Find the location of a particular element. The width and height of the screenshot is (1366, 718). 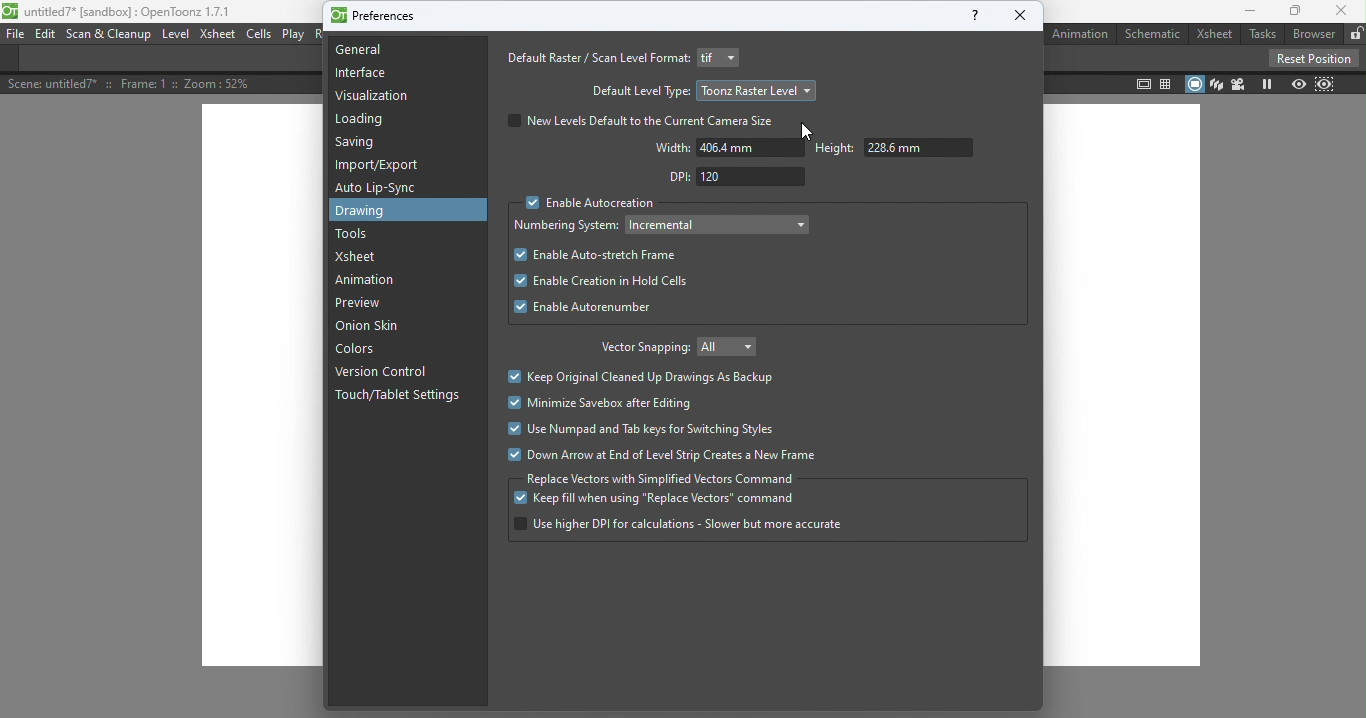

Use numpad and tab keys for switching styles is located at coordinates (646, 432).